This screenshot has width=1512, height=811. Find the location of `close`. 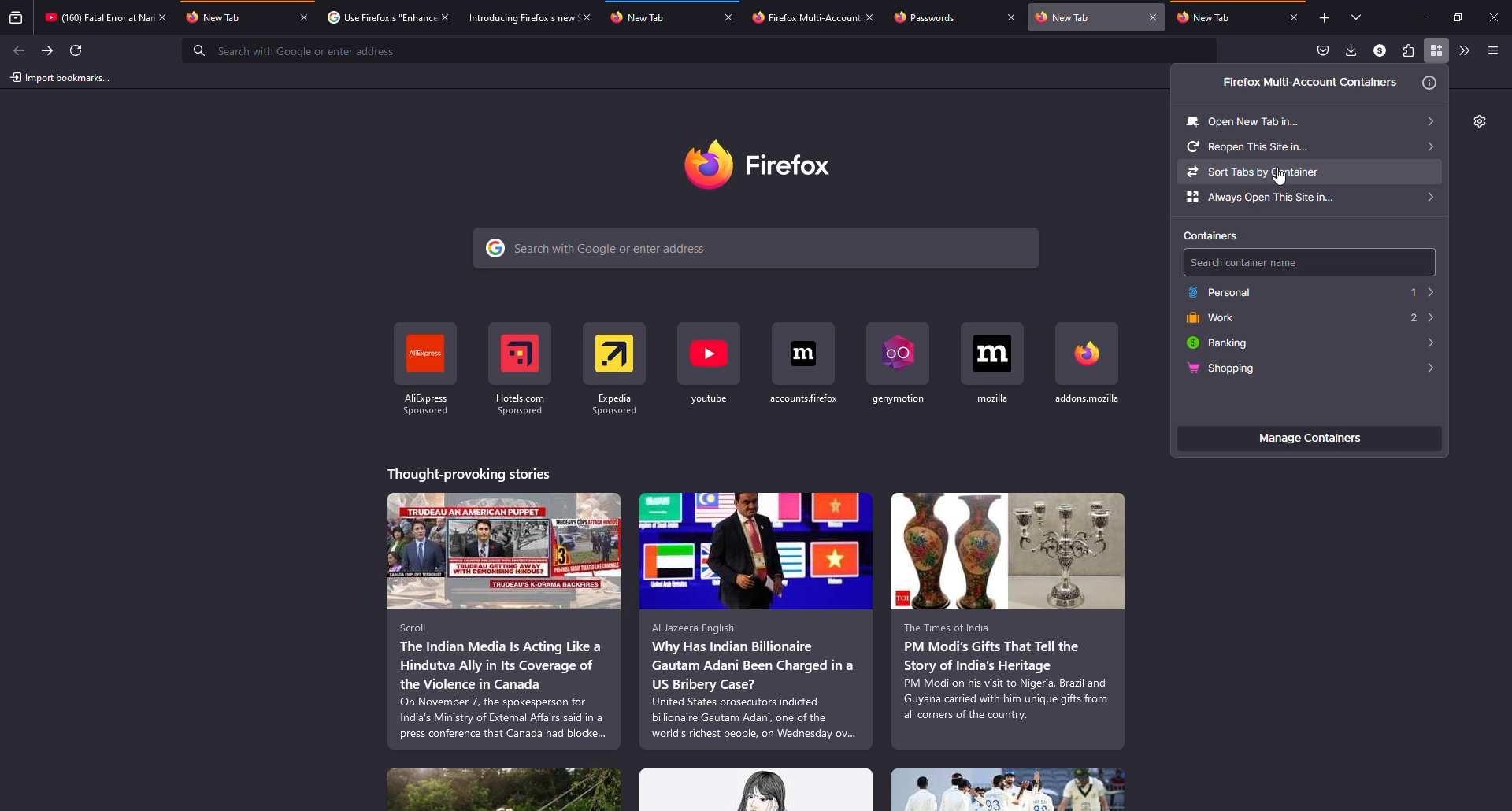

close is located at coordinates (164, 17).